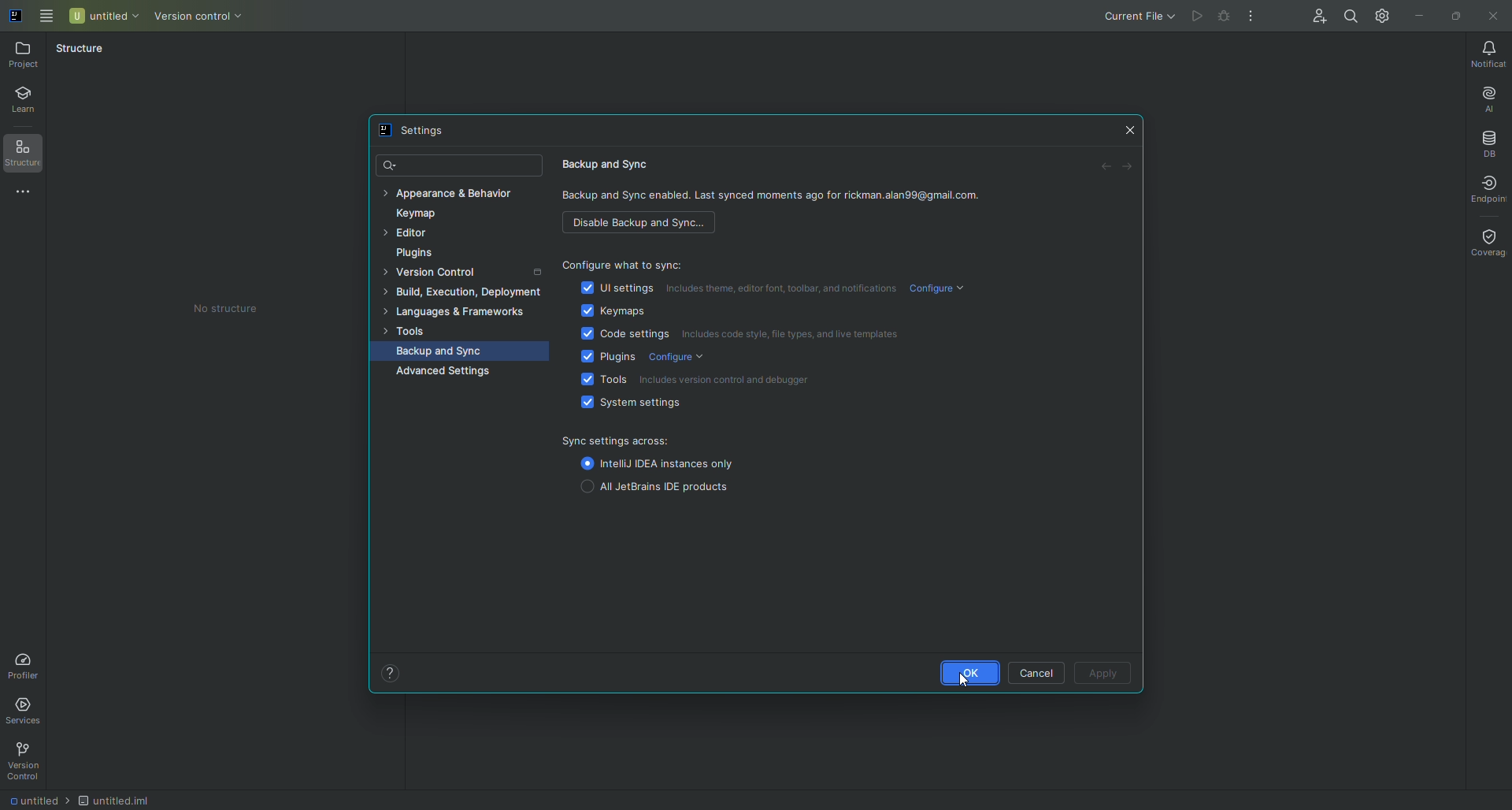 This screenshot has height=810, width=1512. Describe the element at coordinates (462, 272) in the screenshot. I see `Version Control` at that location.